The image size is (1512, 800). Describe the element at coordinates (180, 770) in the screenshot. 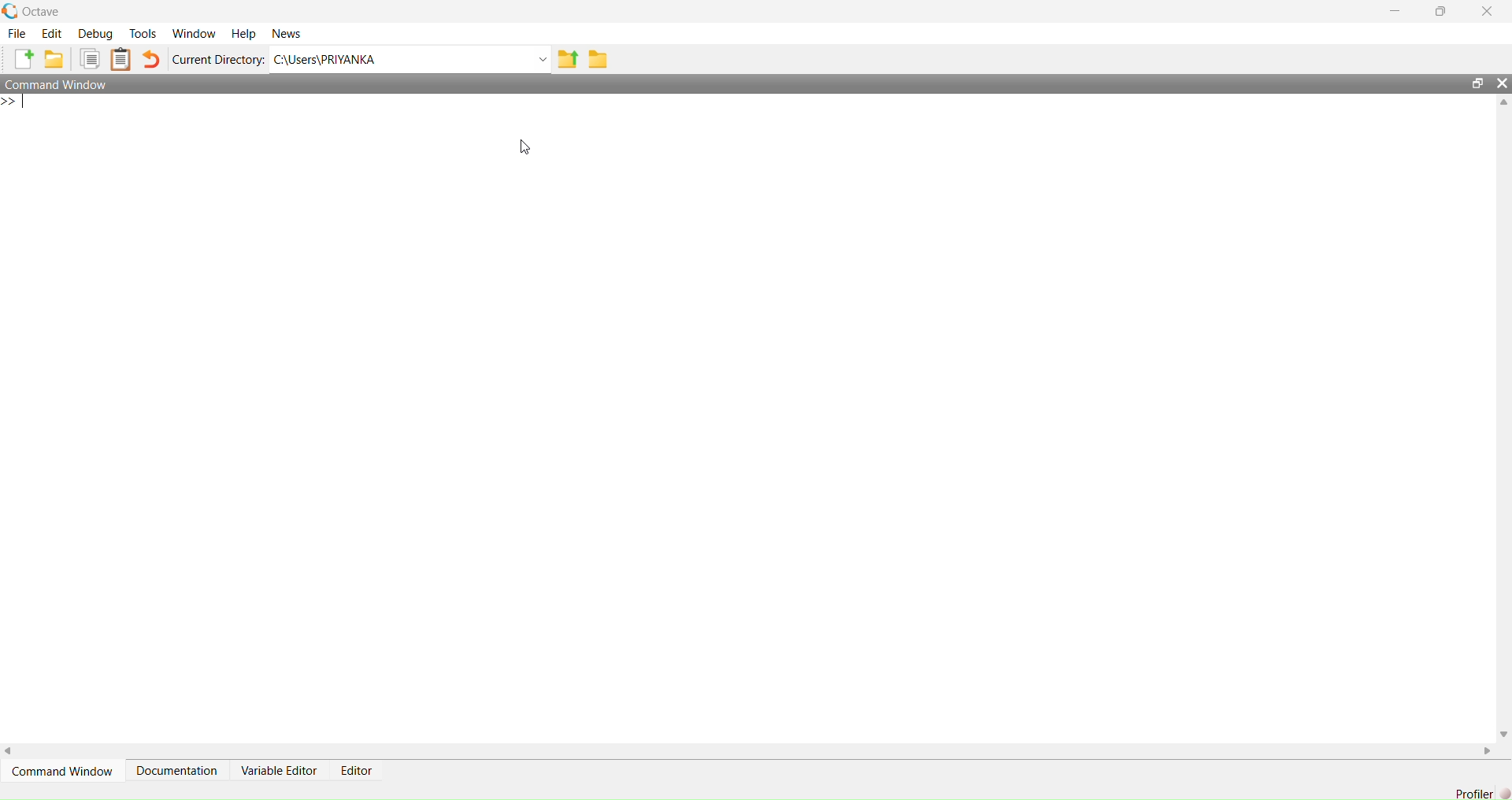

I see `Documentation` at that location.